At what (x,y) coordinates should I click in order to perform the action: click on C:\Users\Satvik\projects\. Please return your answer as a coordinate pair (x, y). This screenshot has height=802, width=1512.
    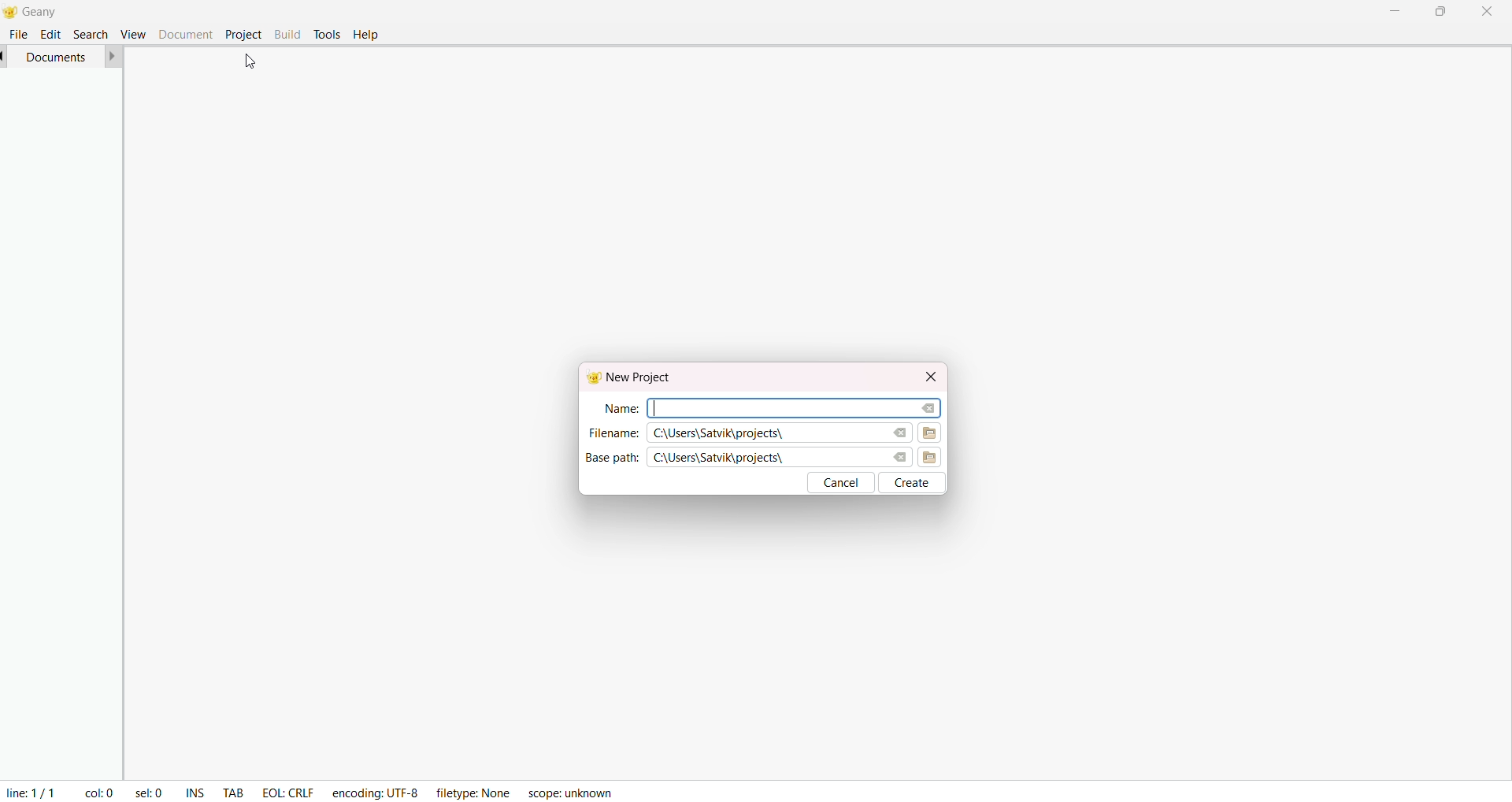
    Looking at the image, I should click on (721, 458).